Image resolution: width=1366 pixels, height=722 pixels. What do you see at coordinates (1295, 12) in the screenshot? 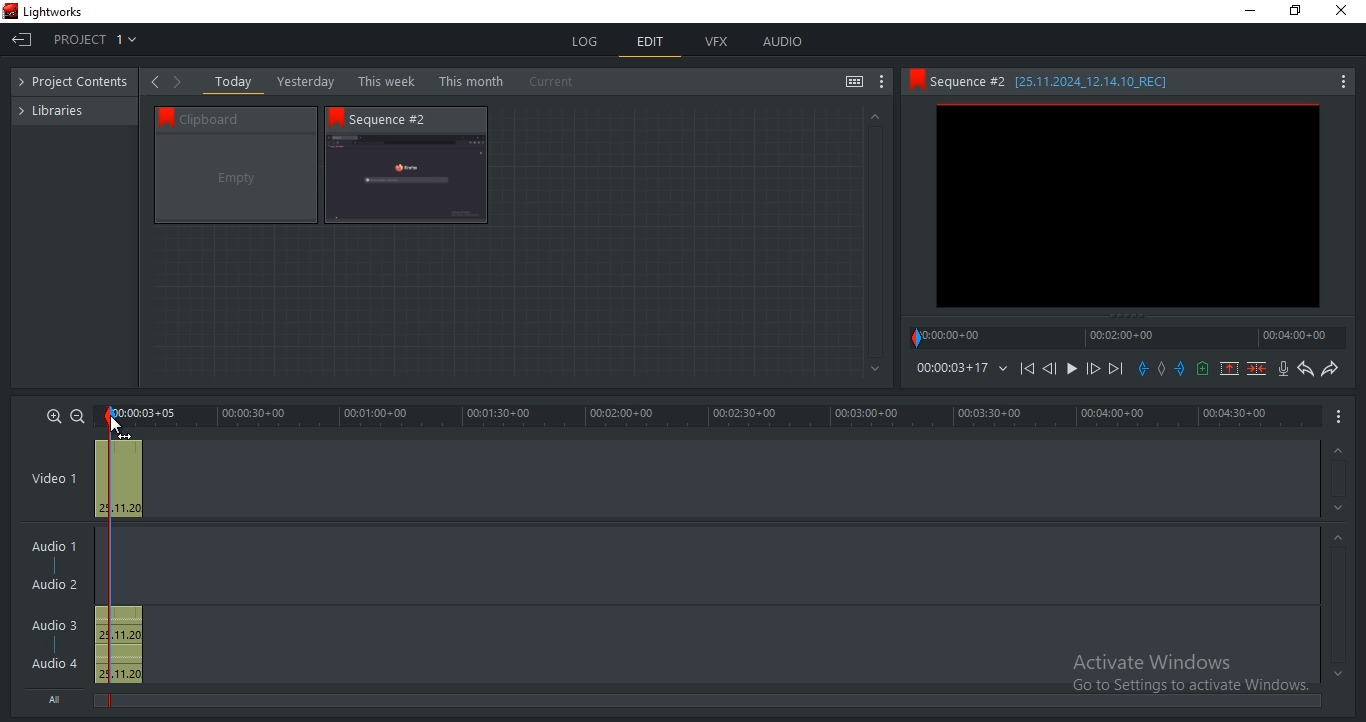
I see `restore` at bounding box center [1295, 12].